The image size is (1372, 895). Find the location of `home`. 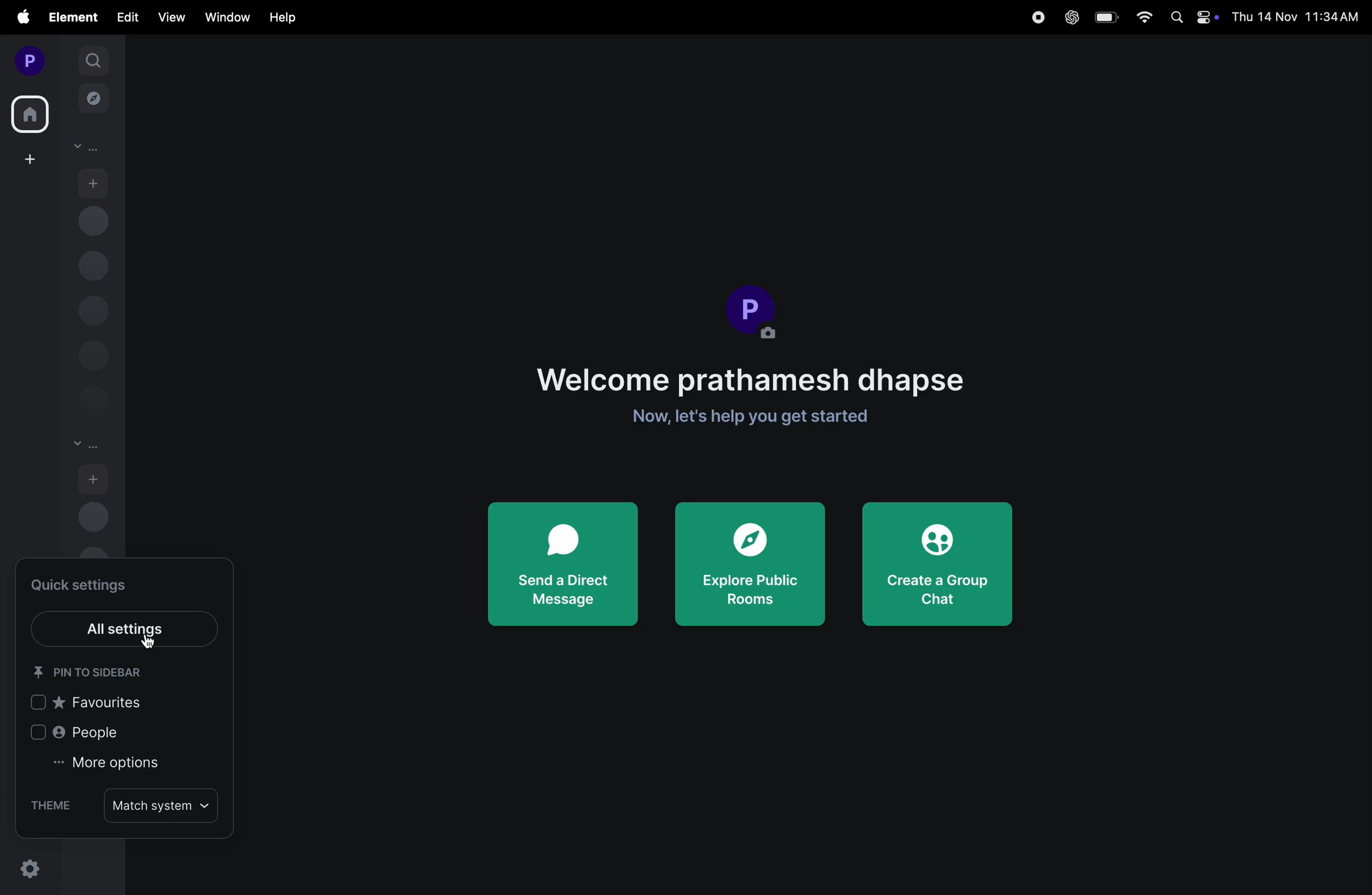

home is located at coordinates (31, 111).